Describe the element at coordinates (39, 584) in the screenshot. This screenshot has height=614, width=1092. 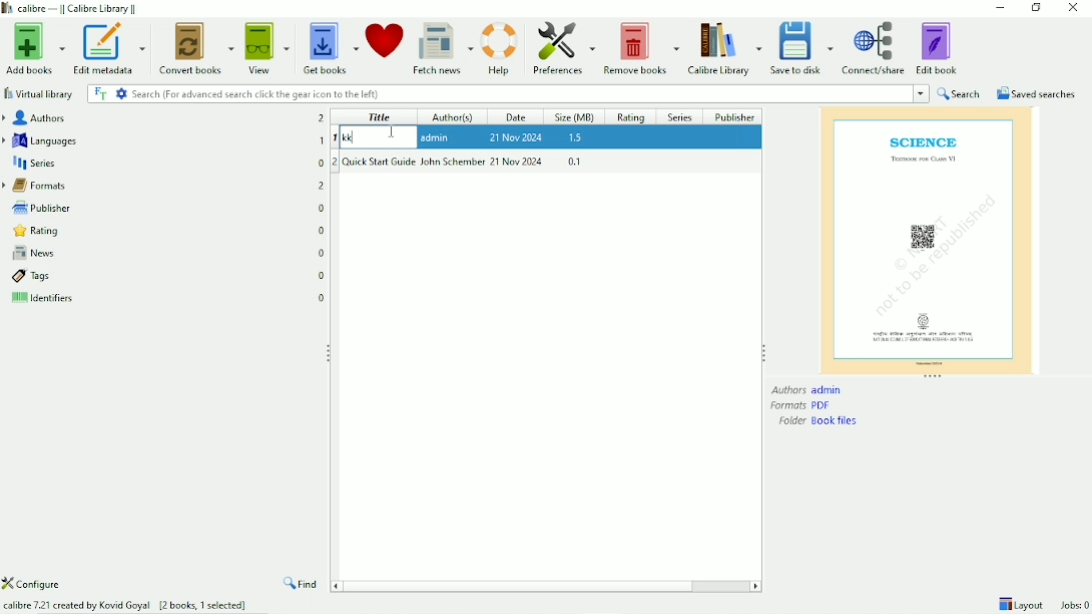
I see `Configure` at that location.